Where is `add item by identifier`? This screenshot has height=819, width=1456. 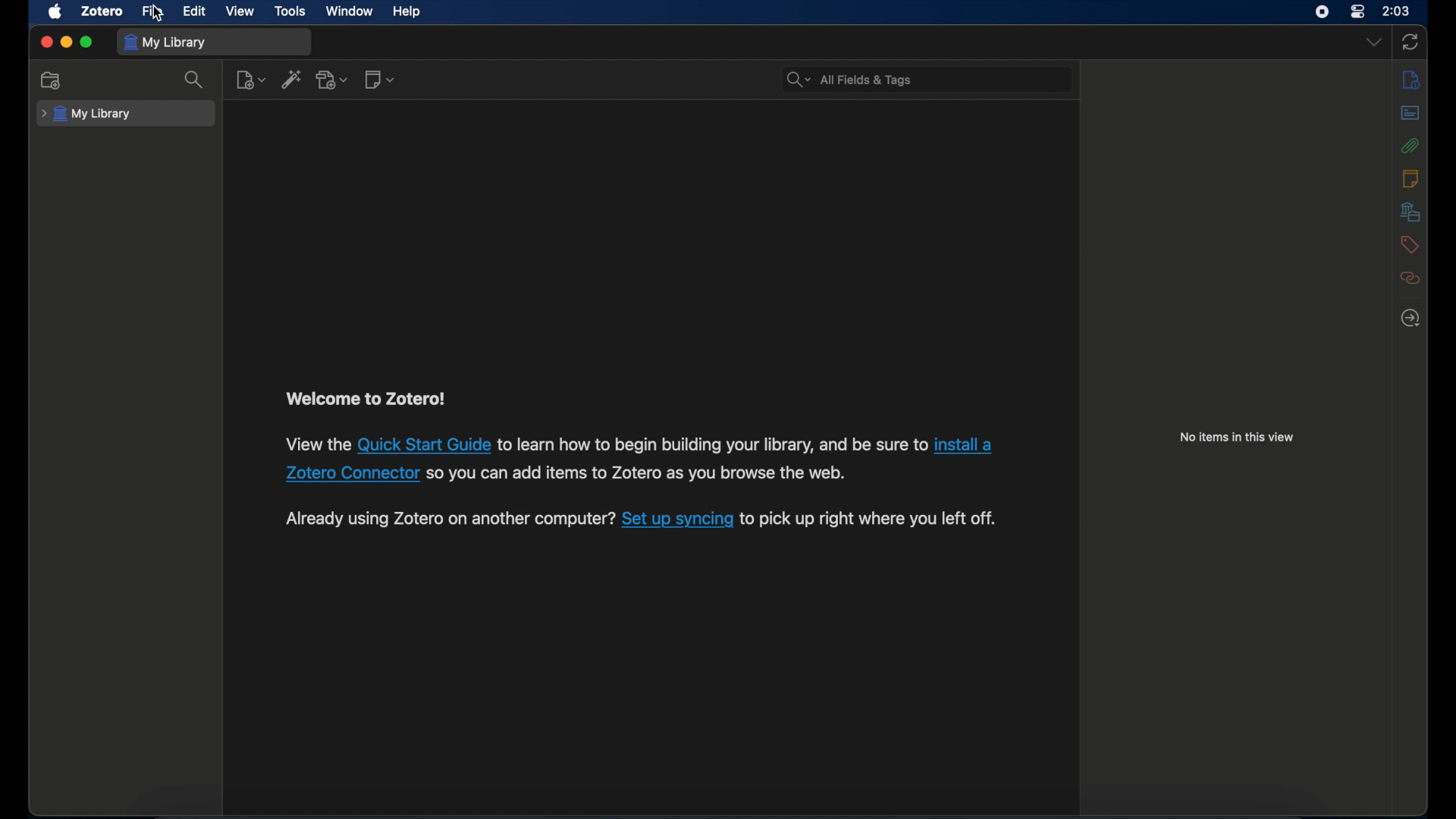 add item by identifier is located at coordinates (292, 79).